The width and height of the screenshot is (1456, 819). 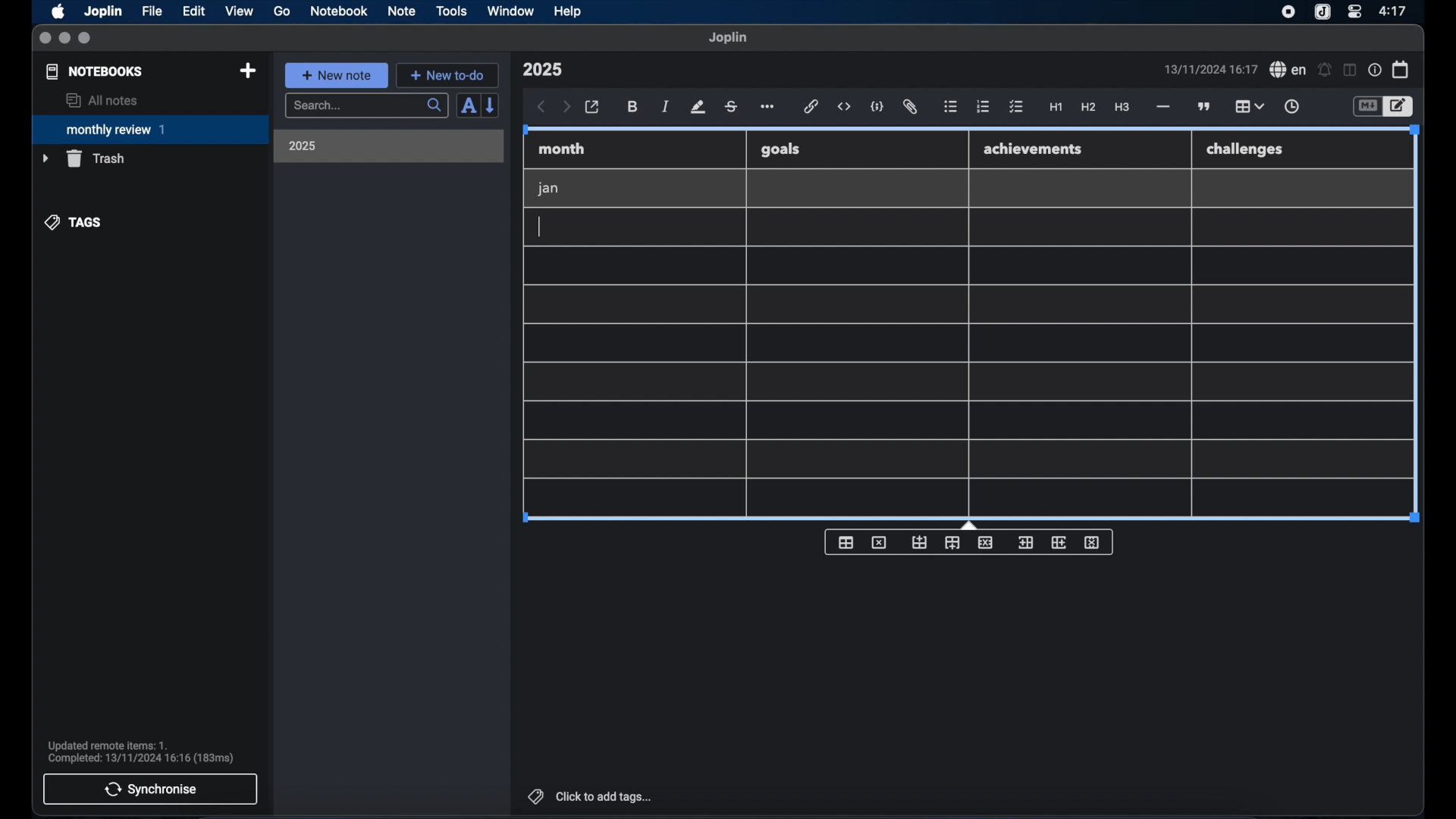 What do you see at coordinates (1288, 70) in the screenshot?
I see `spel check` at bounding box center [1288, 70].